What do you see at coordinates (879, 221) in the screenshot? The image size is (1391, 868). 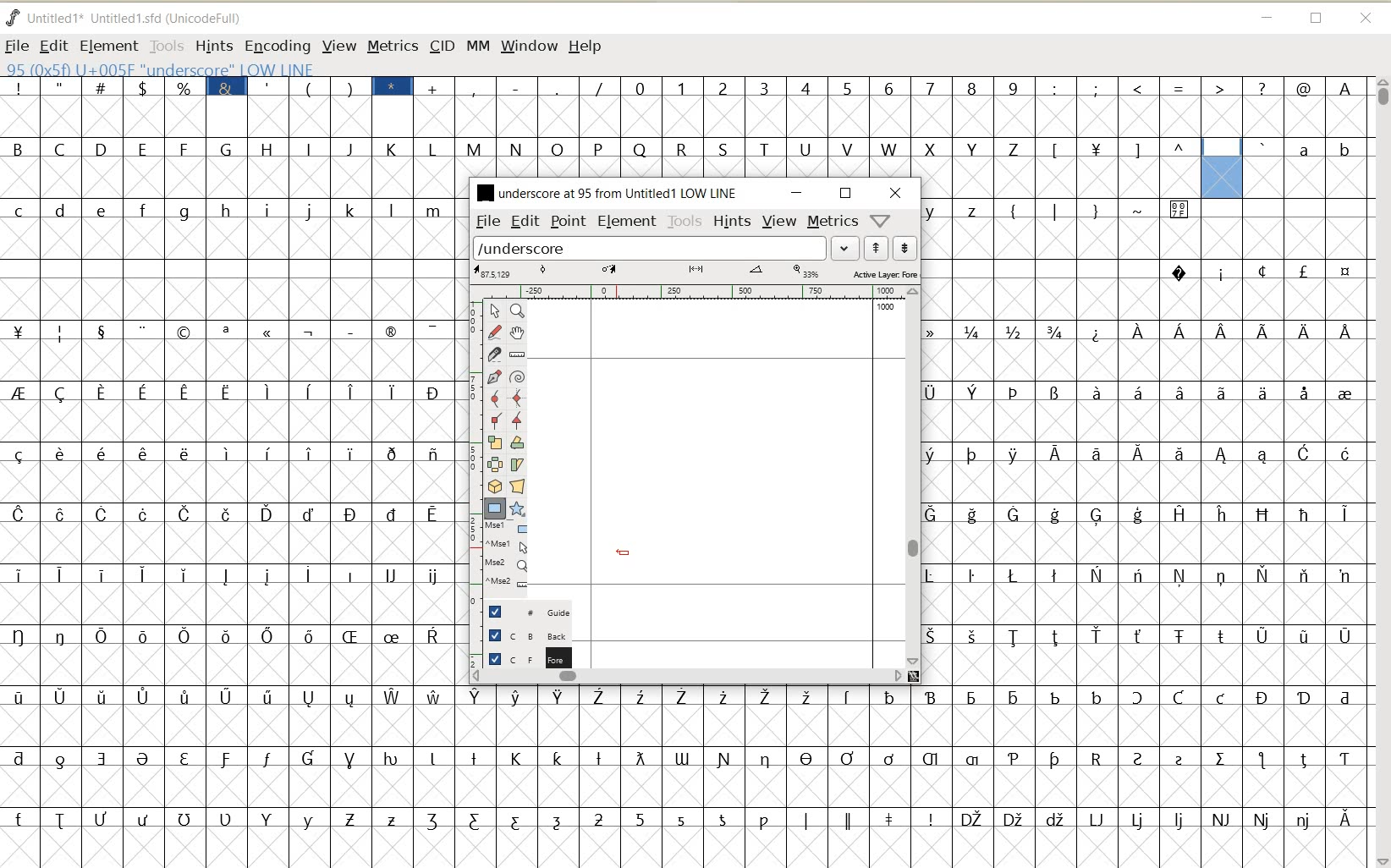 I see `help/window` at bounding box center [879, 221].